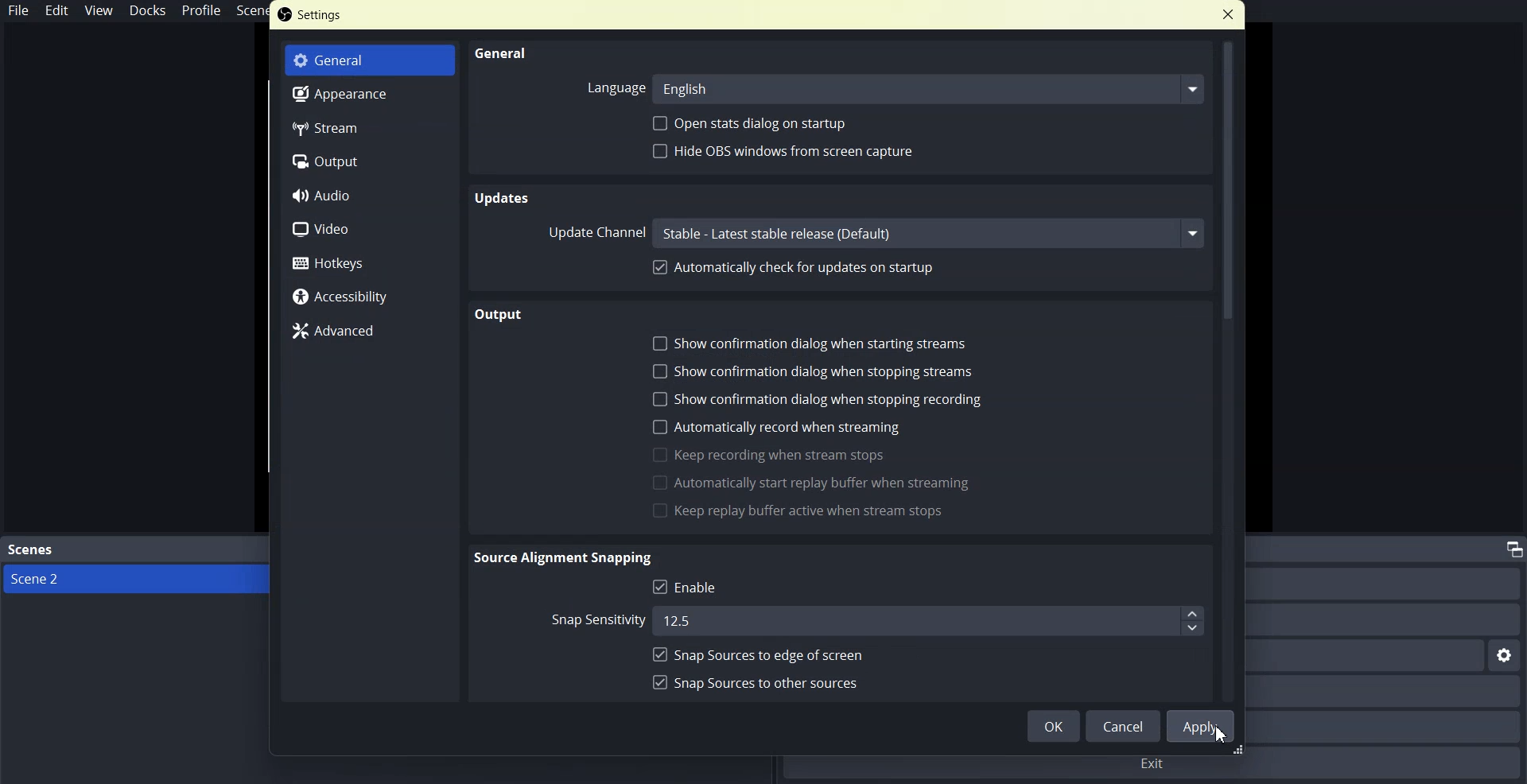 The width and height of the screenshot is (1527, 784). I want to click on Docks, so click(147, 10).